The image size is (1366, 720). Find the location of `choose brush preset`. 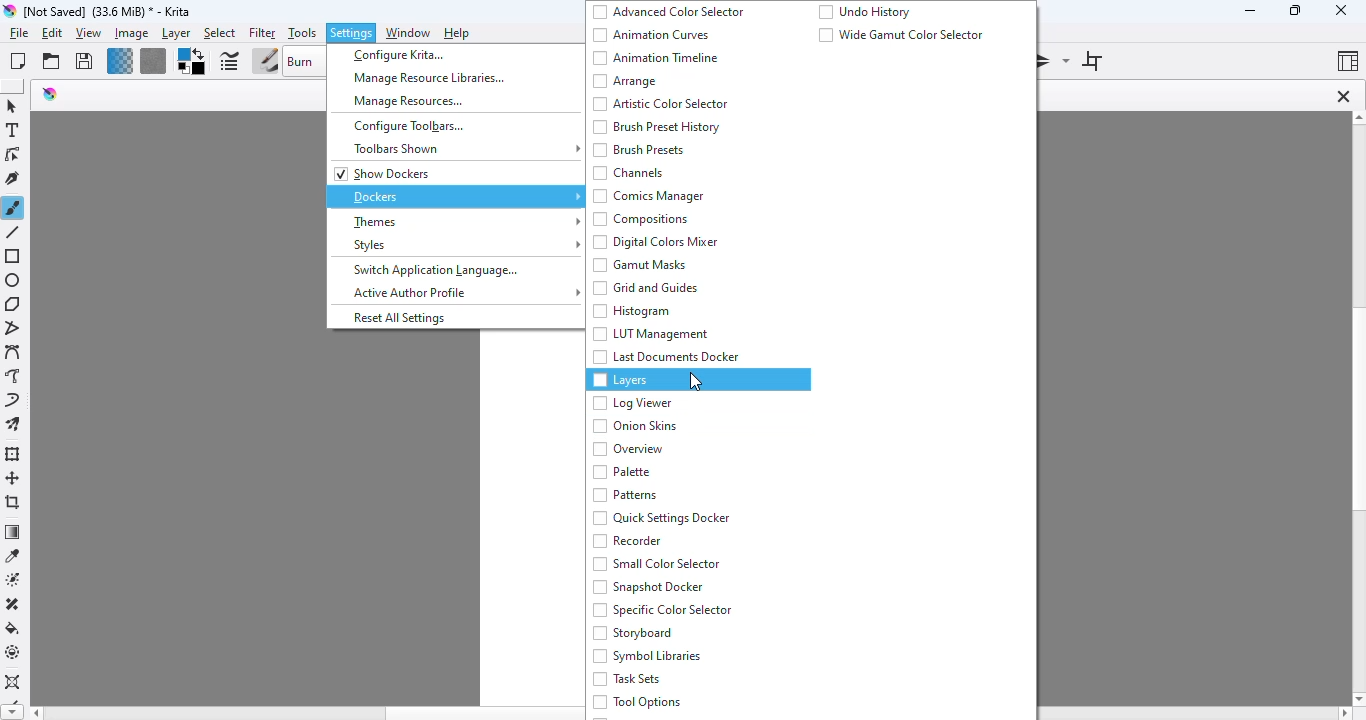

choose brush preset is located at coordinates (265, 62).